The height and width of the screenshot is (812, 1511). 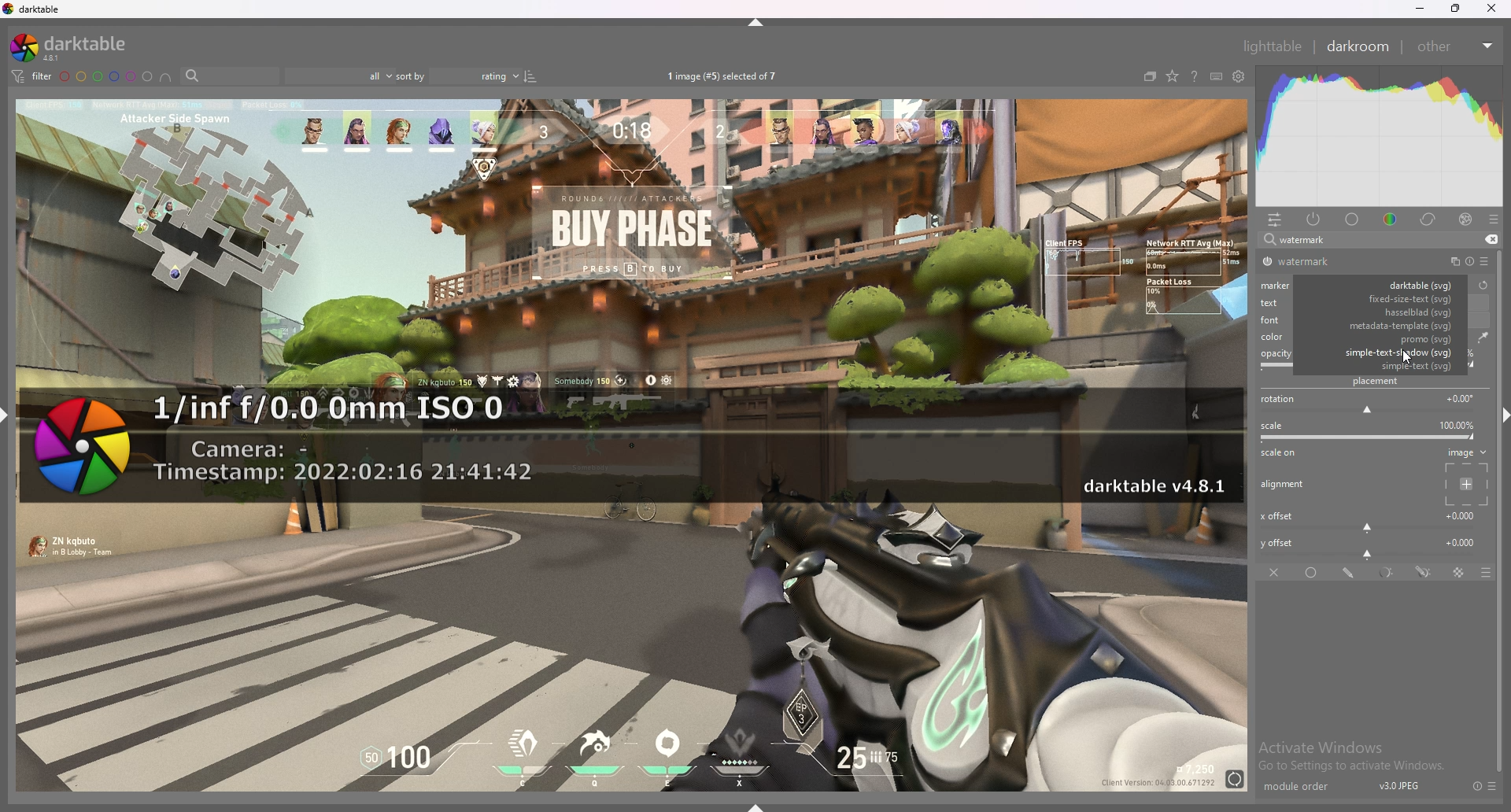 What do you see at coordinates (1393, 218) in the screenshot?
I see `color` at bounding box center [1393, 218].